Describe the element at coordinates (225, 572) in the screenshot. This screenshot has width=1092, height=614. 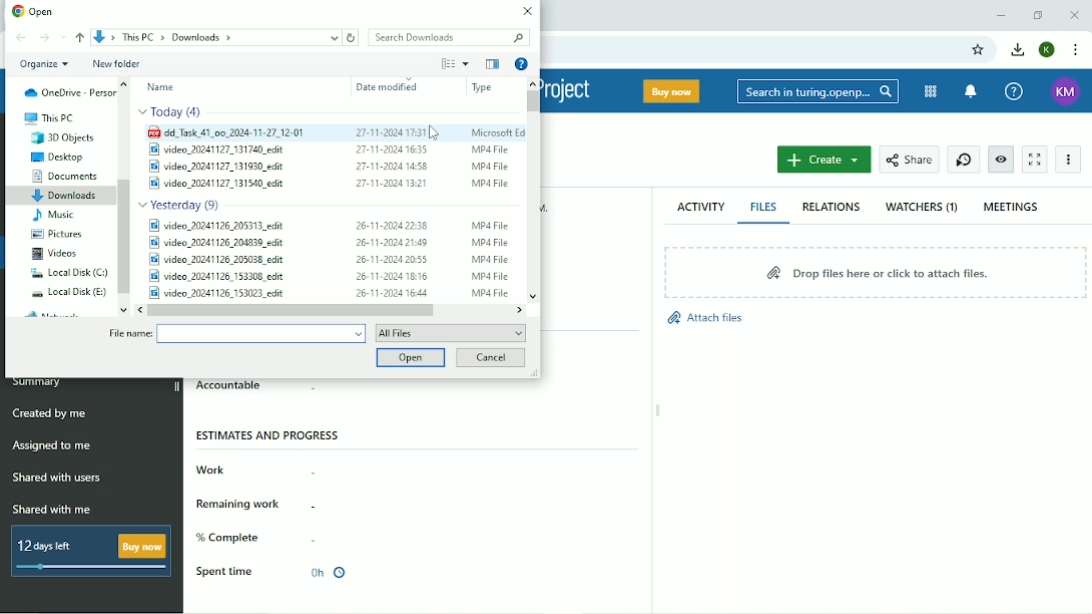
I see `Spent time` at that location.